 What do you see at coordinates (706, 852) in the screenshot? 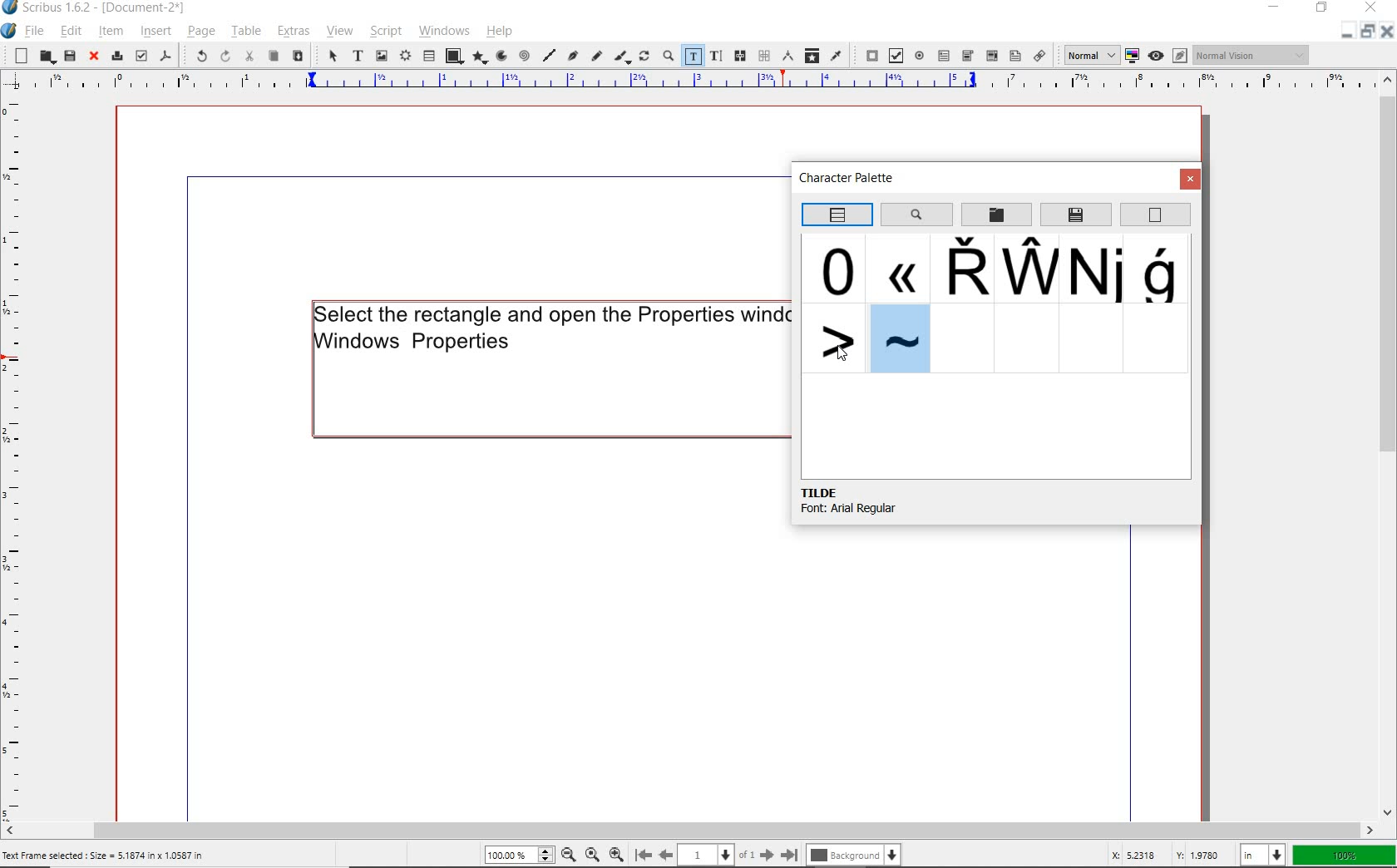
I see `1` at bounding box center [706, 852].